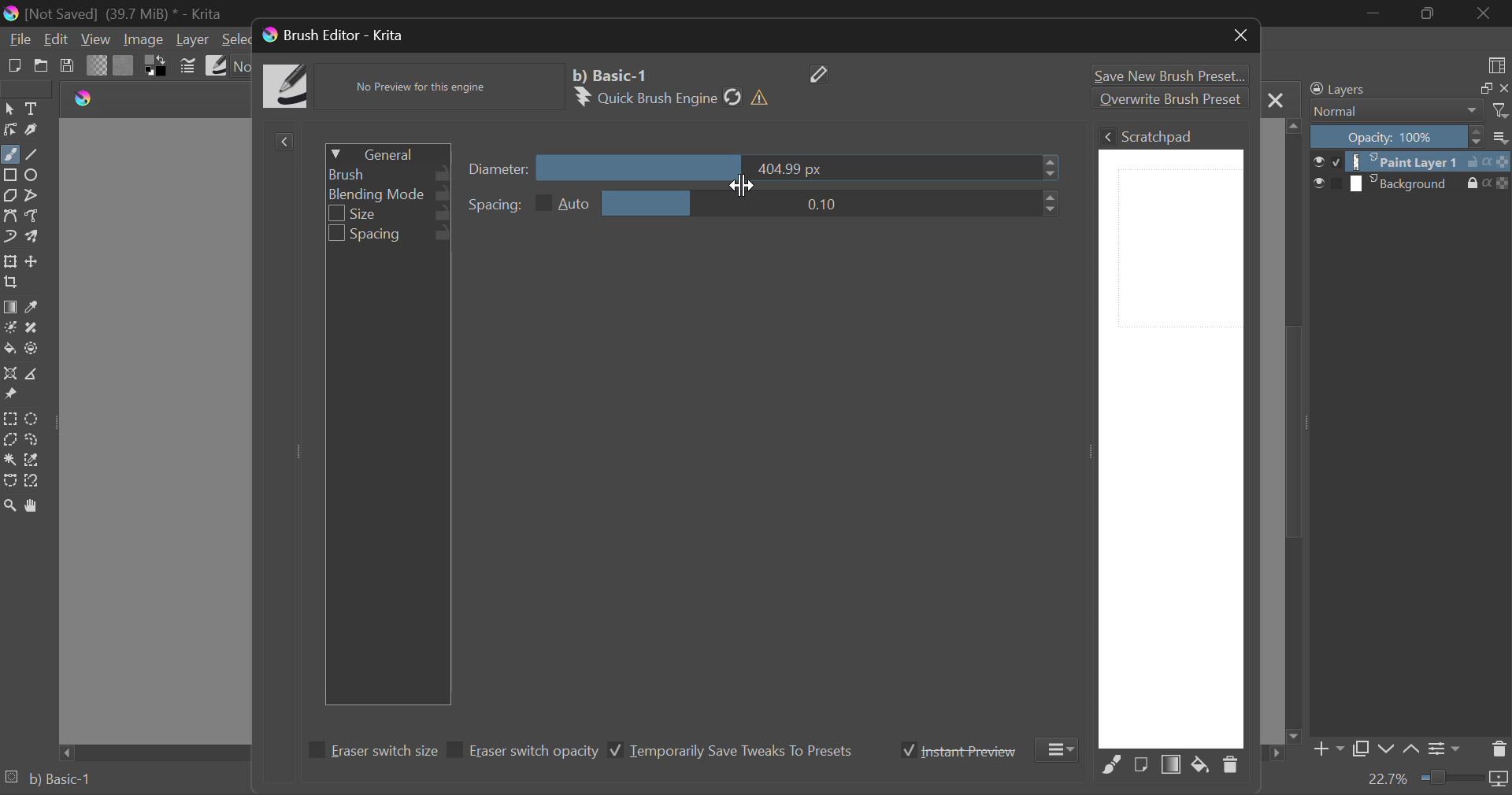 This screenshot has width=1512, height=795. Describe the element at coordinates (500, 168) in the screenshot. I see `Diameter Slider` at that location.